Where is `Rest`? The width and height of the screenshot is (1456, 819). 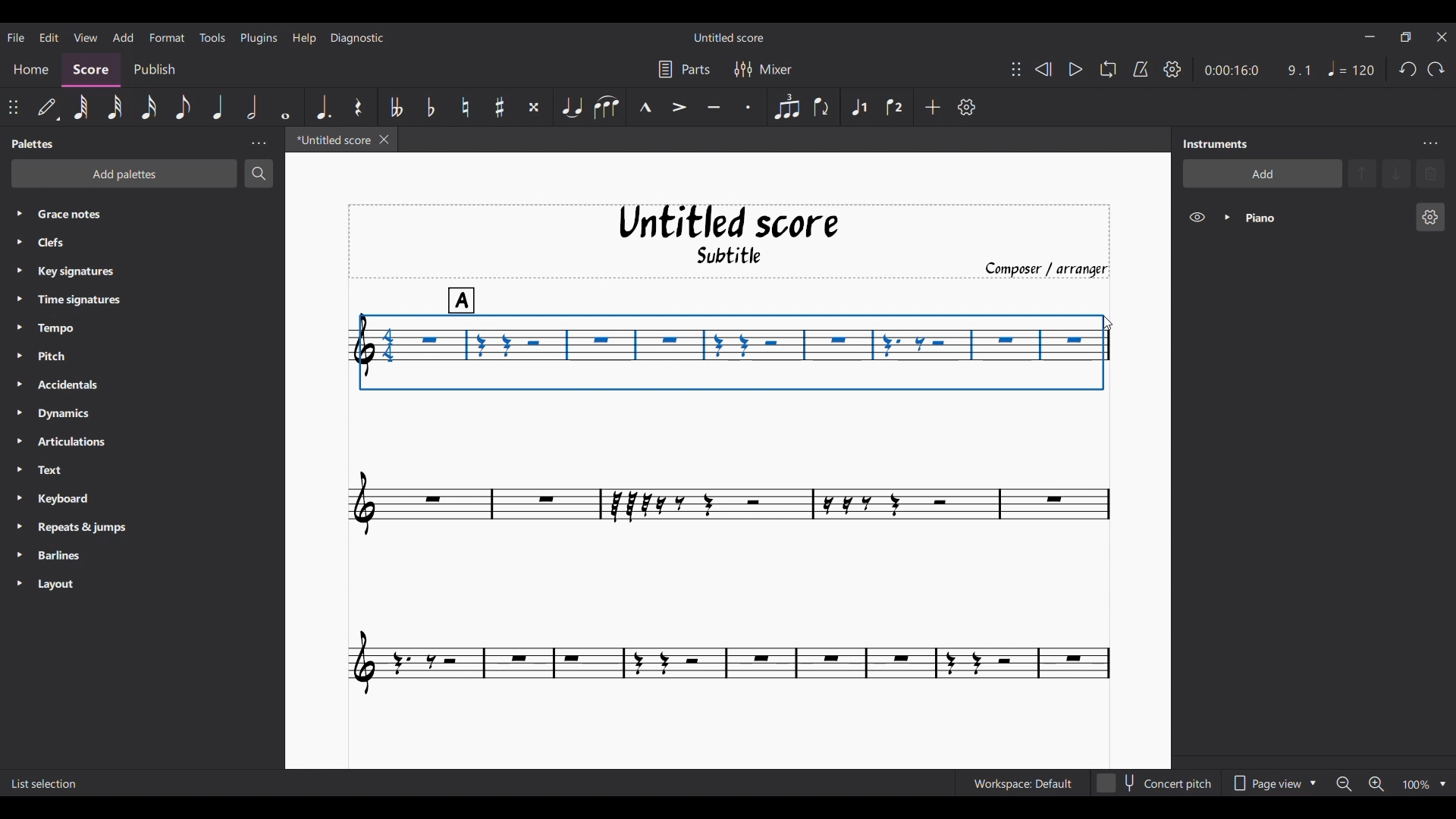 Rest is located at coordinates (358, 107).